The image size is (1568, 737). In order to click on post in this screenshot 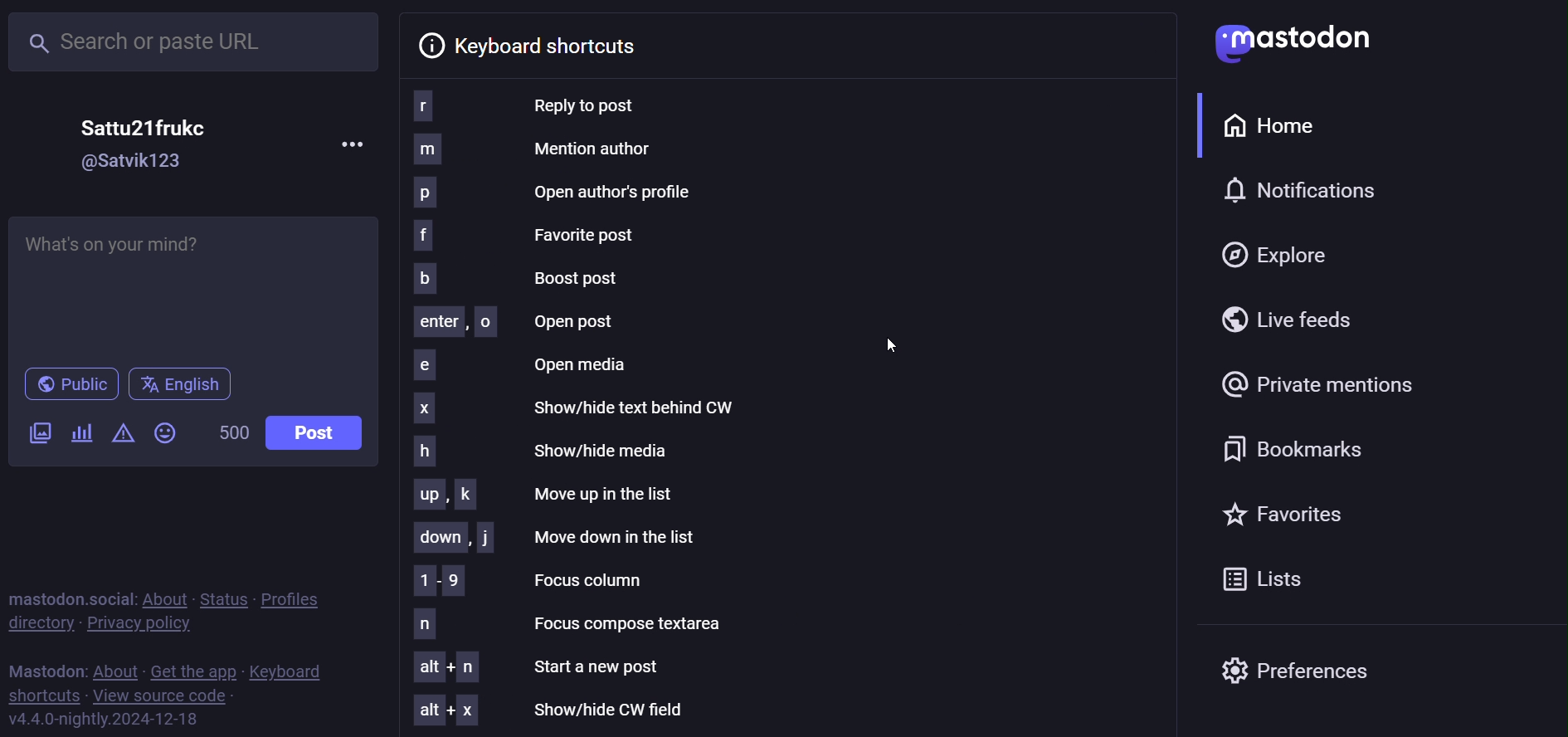, I will do `click(315, 433)`.